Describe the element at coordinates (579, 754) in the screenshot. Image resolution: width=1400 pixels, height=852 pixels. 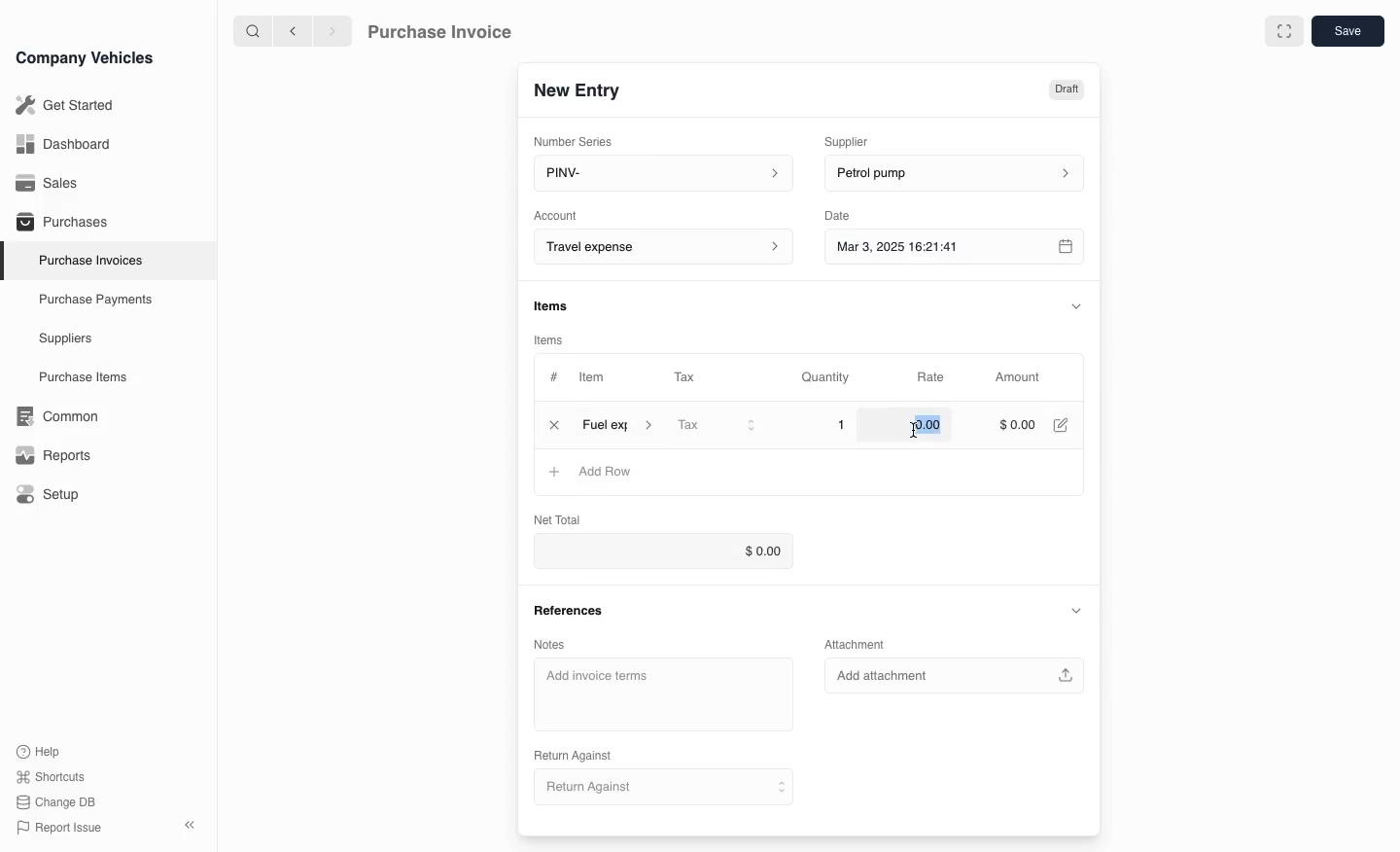
I see `Return Against` at that location.